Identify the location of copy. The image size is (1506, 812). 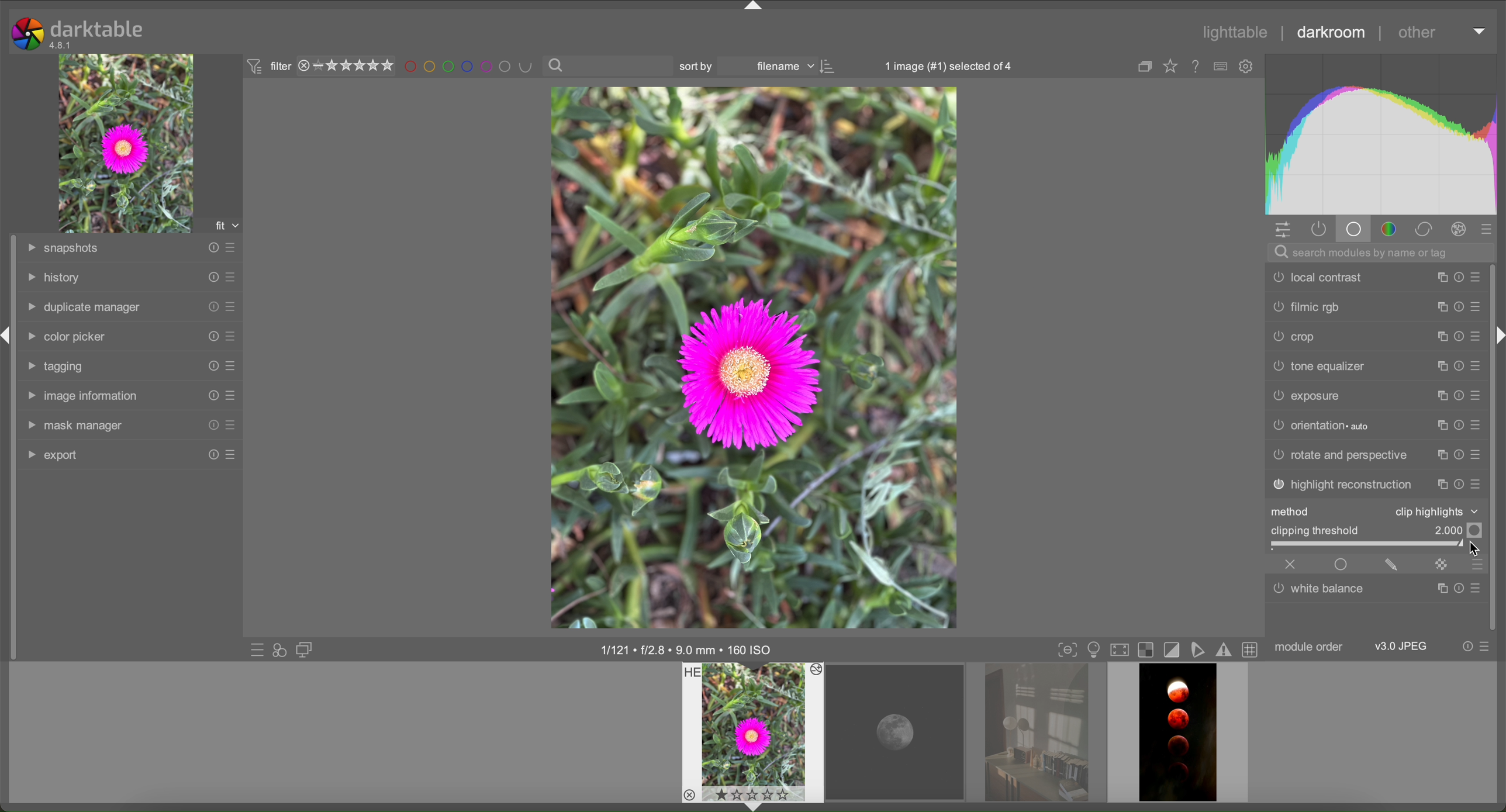
(1441, 485).